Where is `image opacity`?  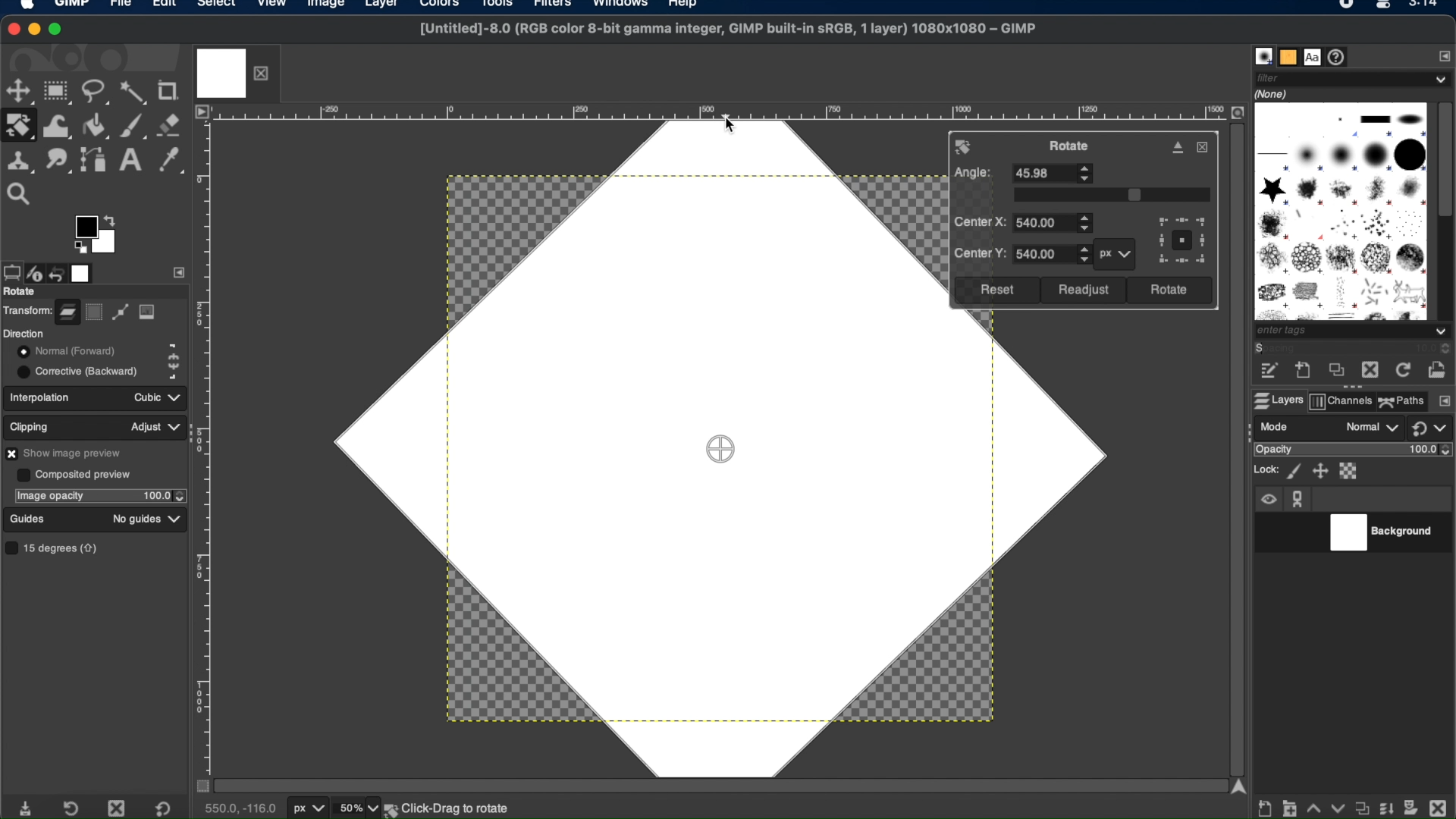 image opacity is located at coordinates (49, 496).